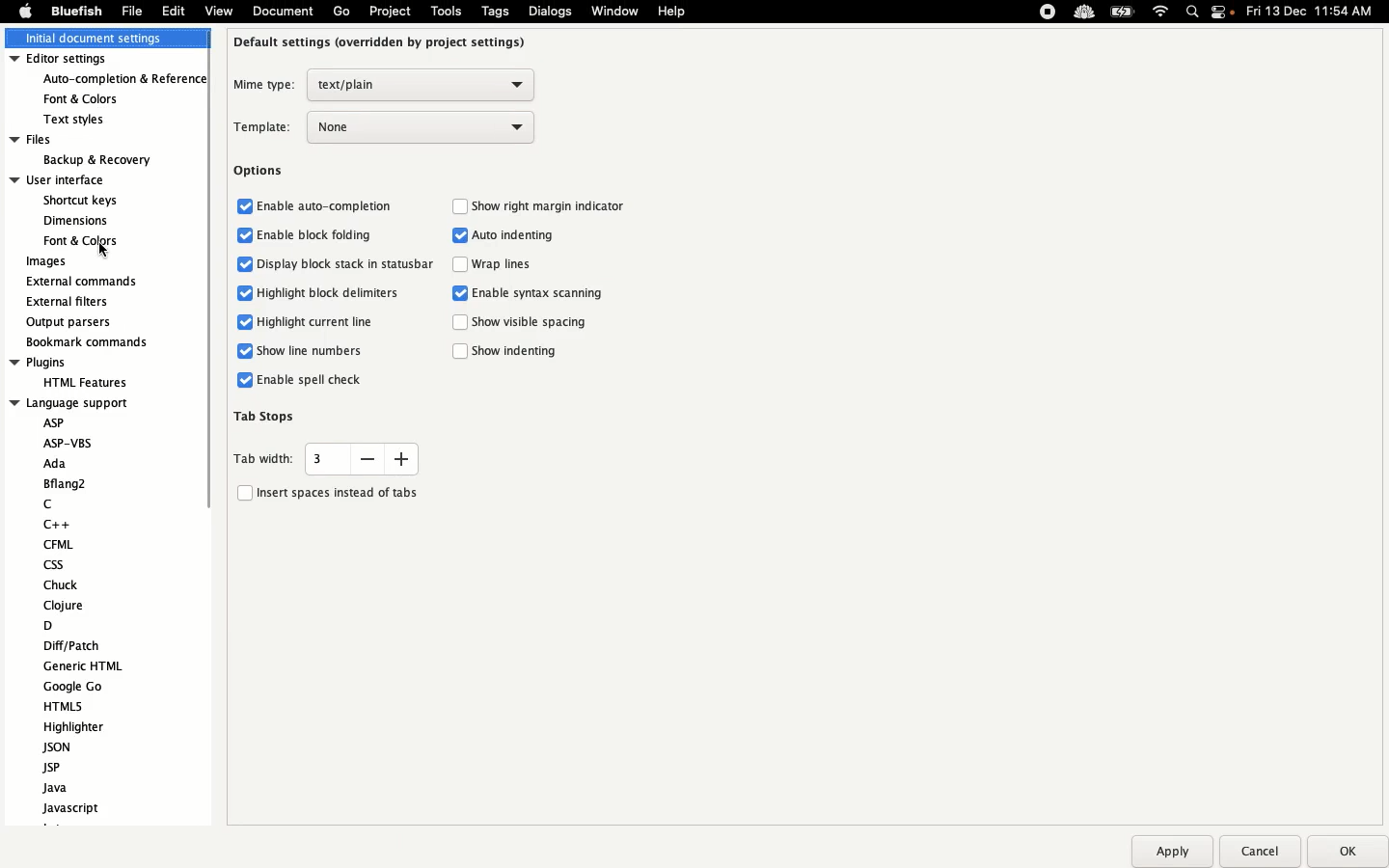 This screenshot has height=868, width=1389. Describe the element at coordinates (48, 262) in the screenshot. I see `Images` at that location.